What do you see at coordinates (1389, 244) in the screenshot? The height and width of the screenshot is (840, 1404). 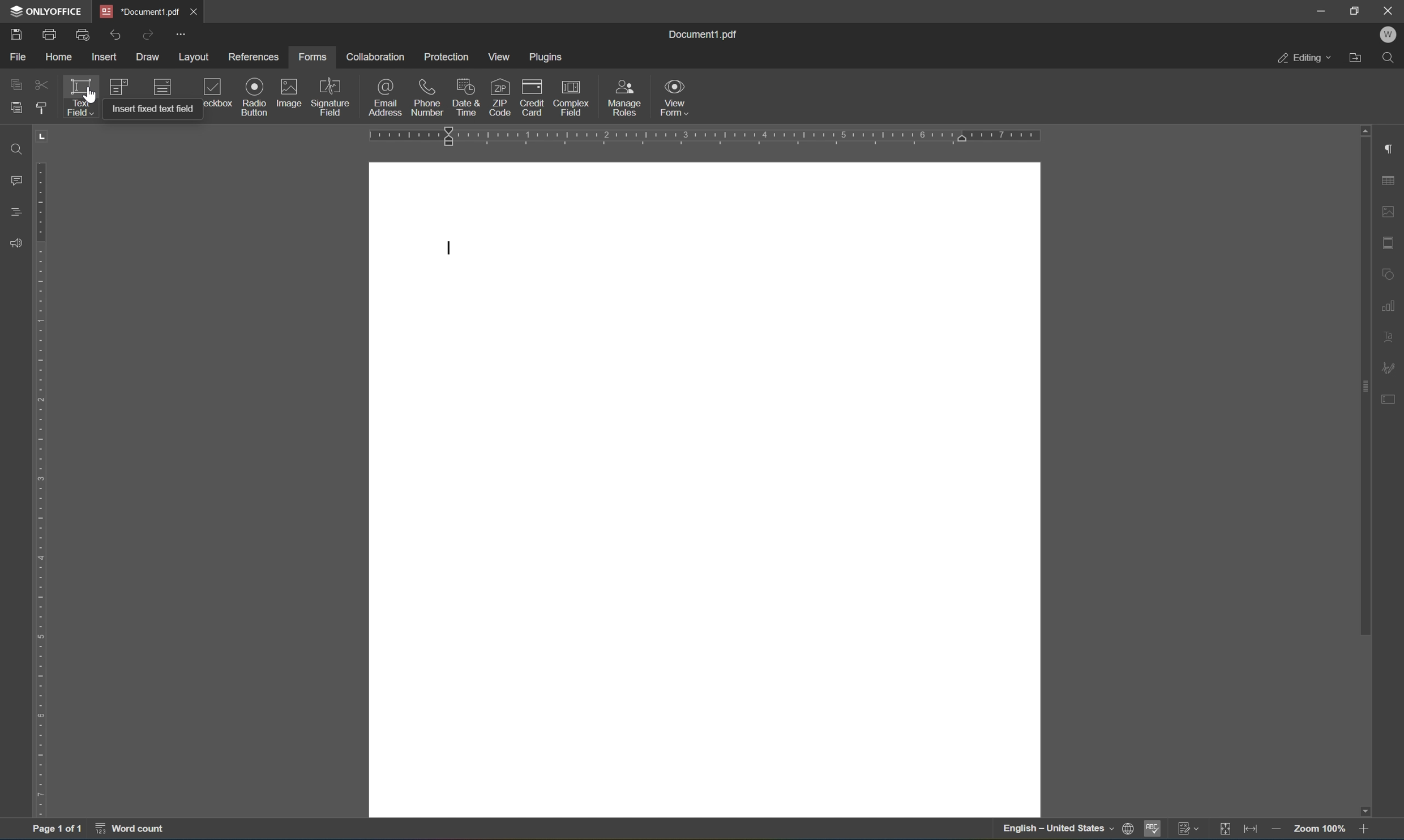 I see `header & footer settings` at bounding box center [1389, 244].